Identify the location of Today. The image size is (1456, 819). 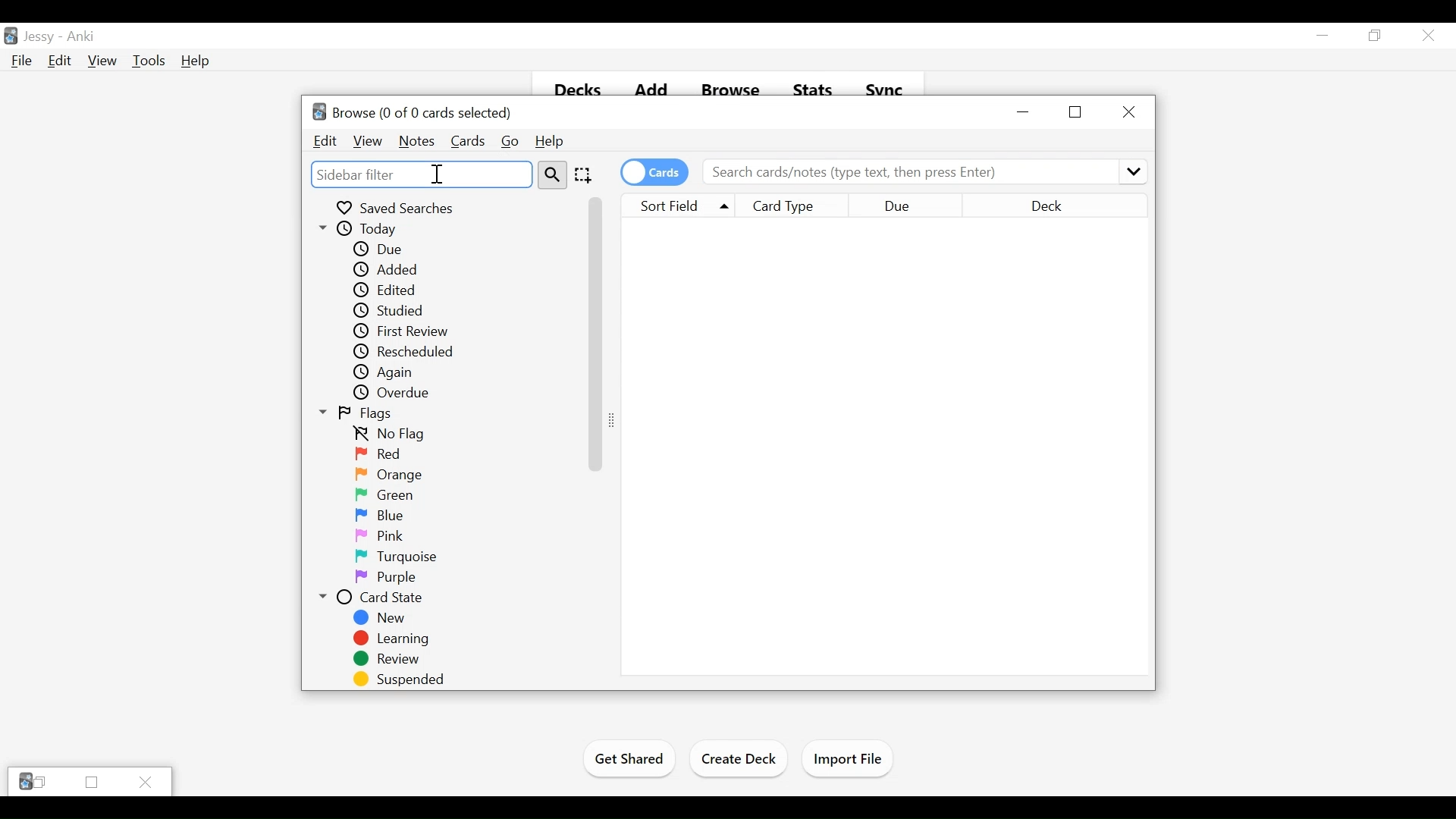
(388, 229).